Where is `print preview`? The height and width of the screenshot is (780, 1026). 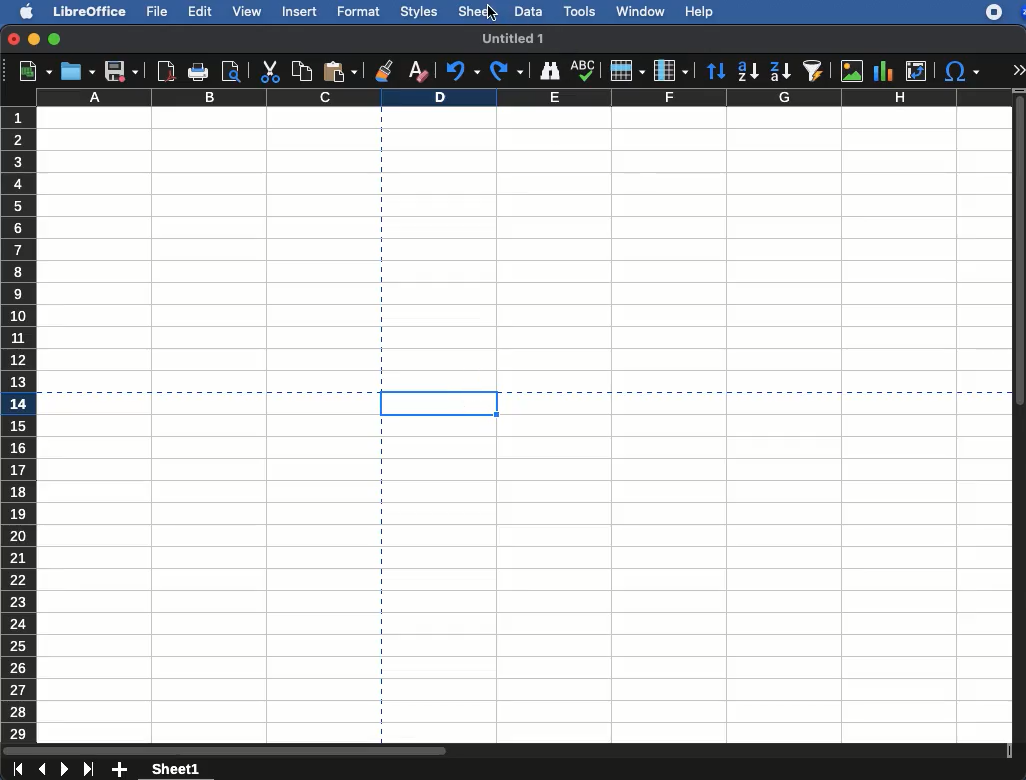 print preview is located at coordinates (230, 71).